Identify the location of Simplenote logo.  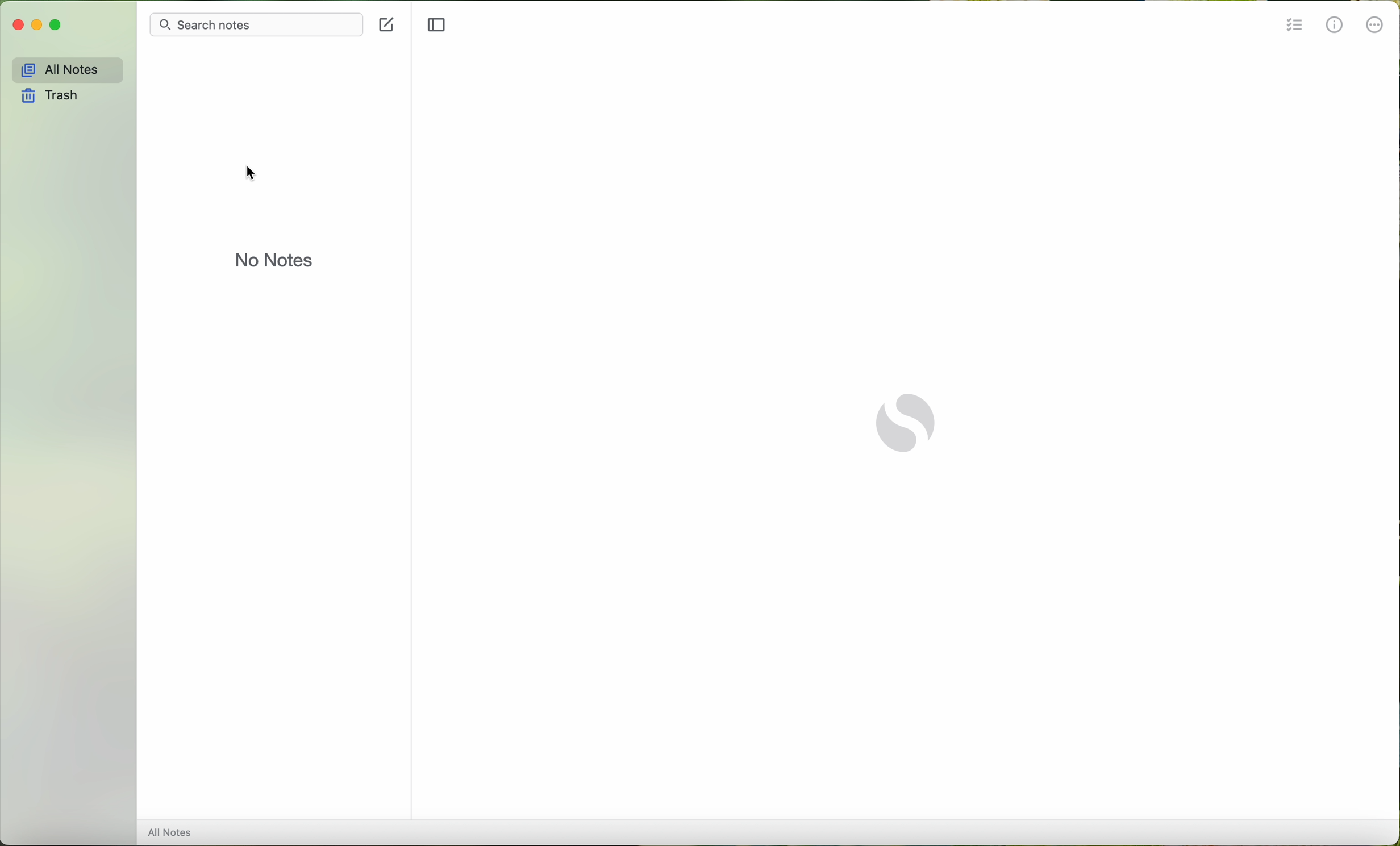
(912, 421).